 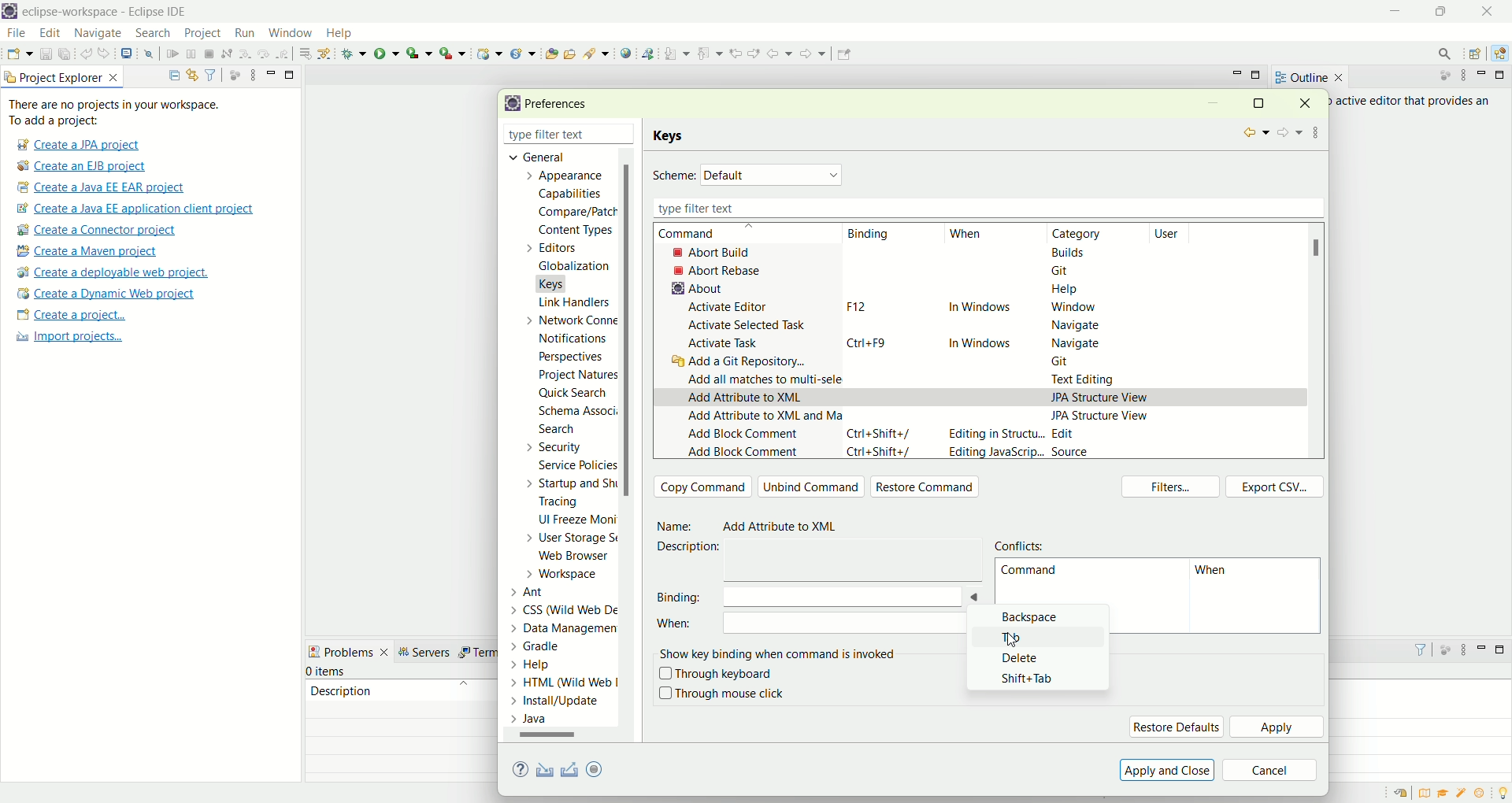 What do you see at coordinates (1321, 248) in the screenshot?
I see `scroll bar` at bounding box center [1321, 248].